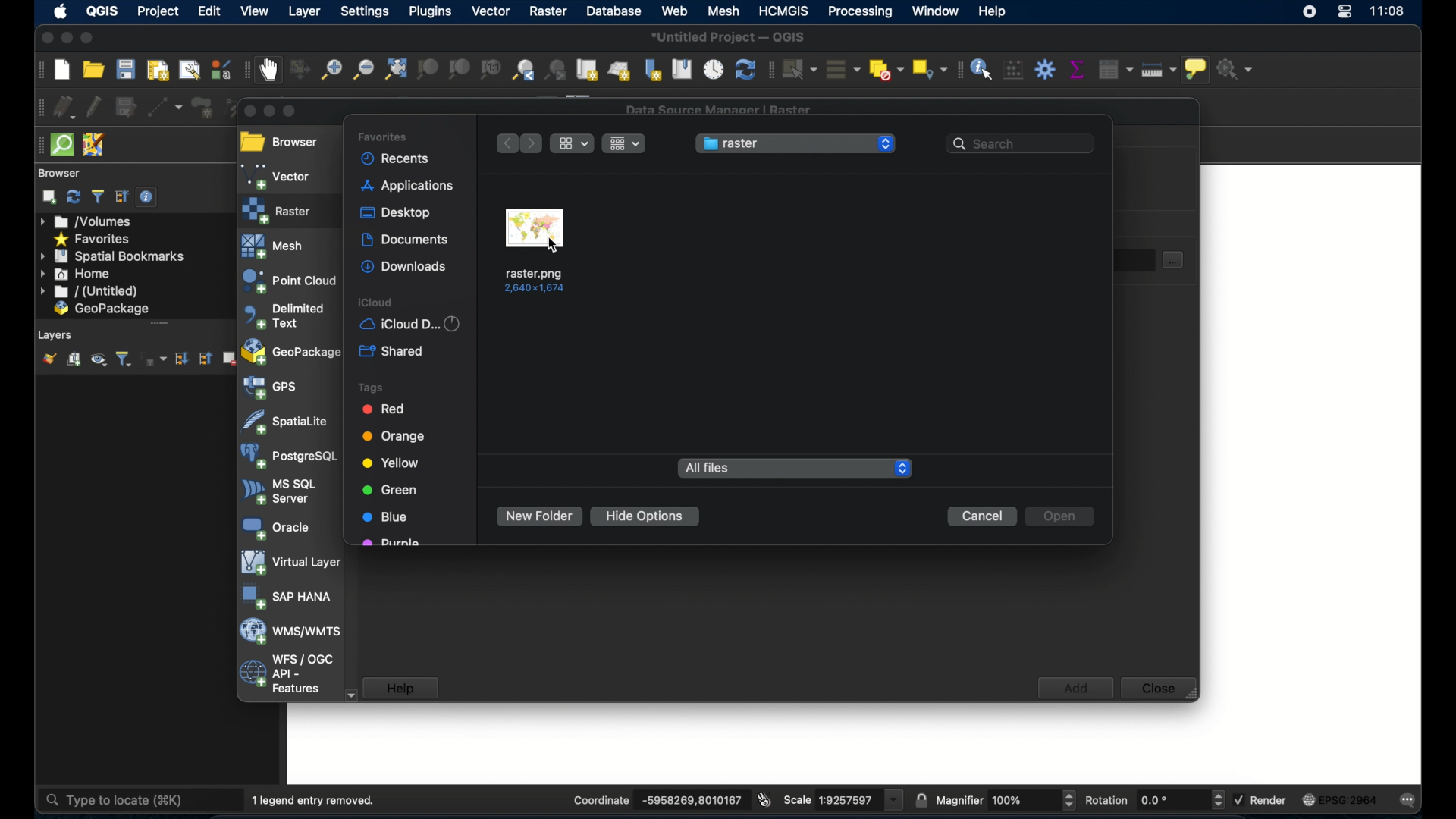 Image resolution: width=1456 pixels, height=819 pixels. What do you see at coordinates (627, 143) in the screenshot?
I see `drop-down` at bounding box center [627, 143].